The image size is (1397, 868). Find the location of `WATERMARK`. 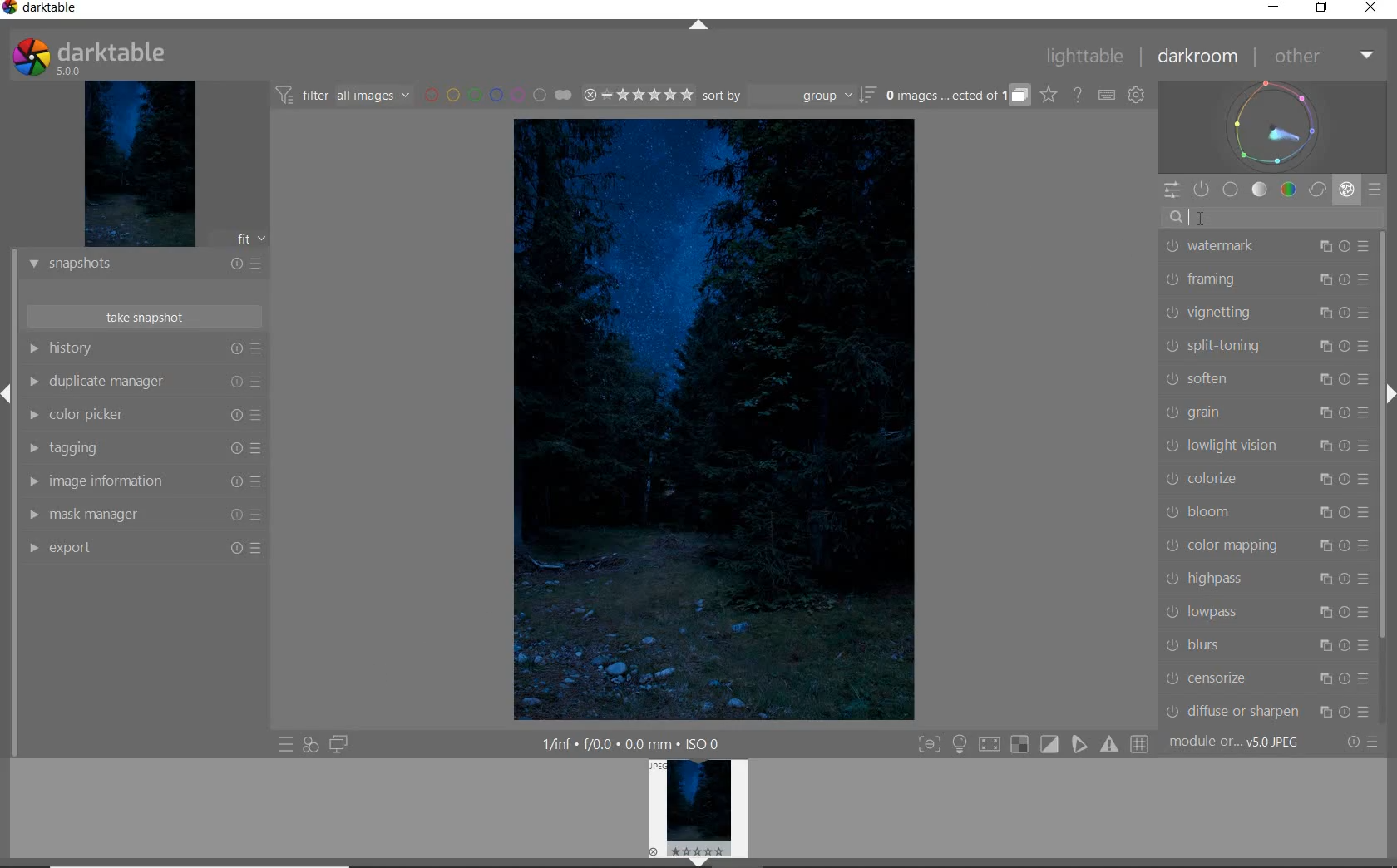

WATERMARK is located at coordinates (1266, 249).